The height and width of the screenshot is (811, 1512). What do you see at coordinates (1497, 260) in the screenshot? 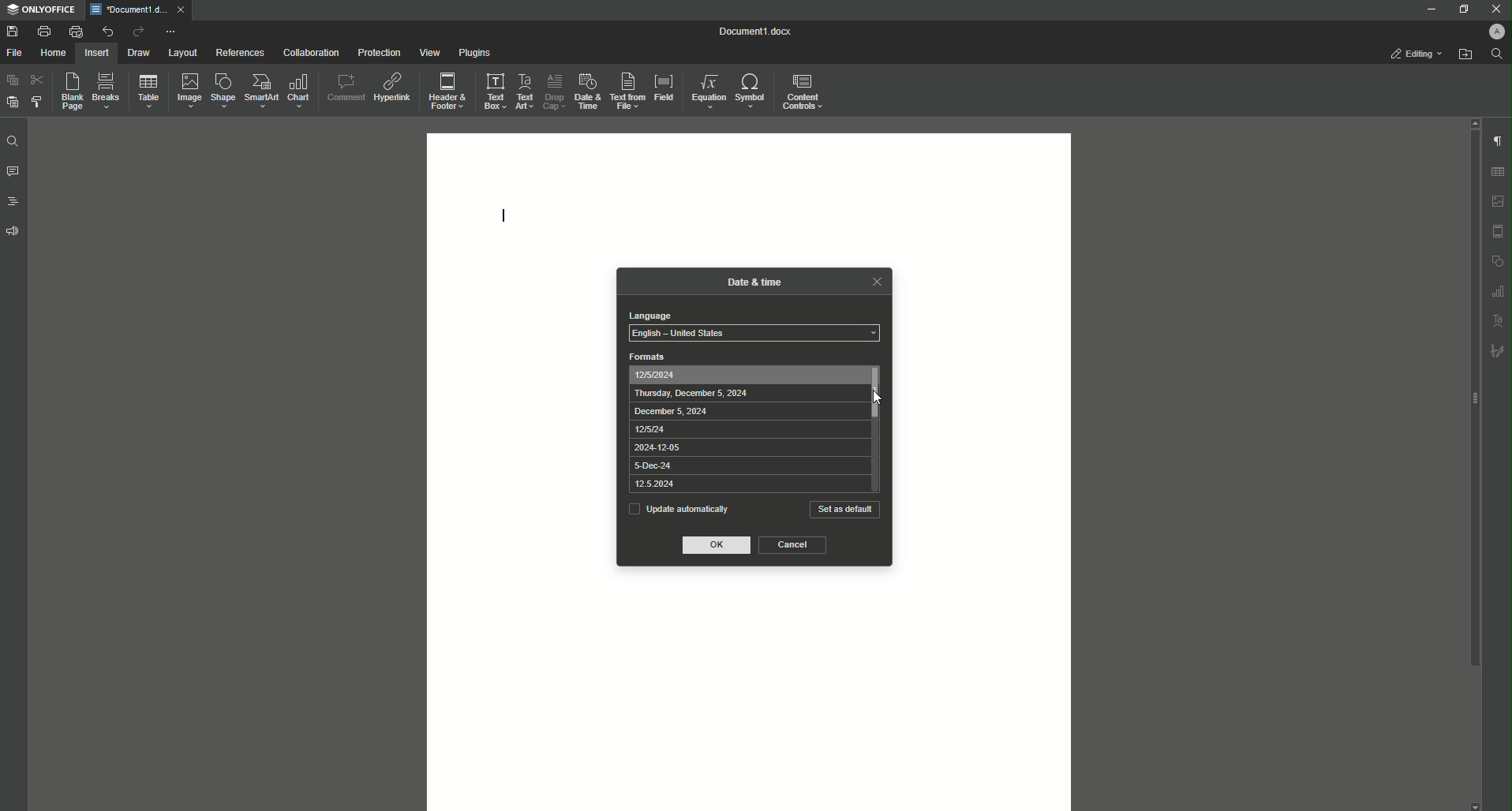
I see `shape settings` at bounding box center [1497, 260].